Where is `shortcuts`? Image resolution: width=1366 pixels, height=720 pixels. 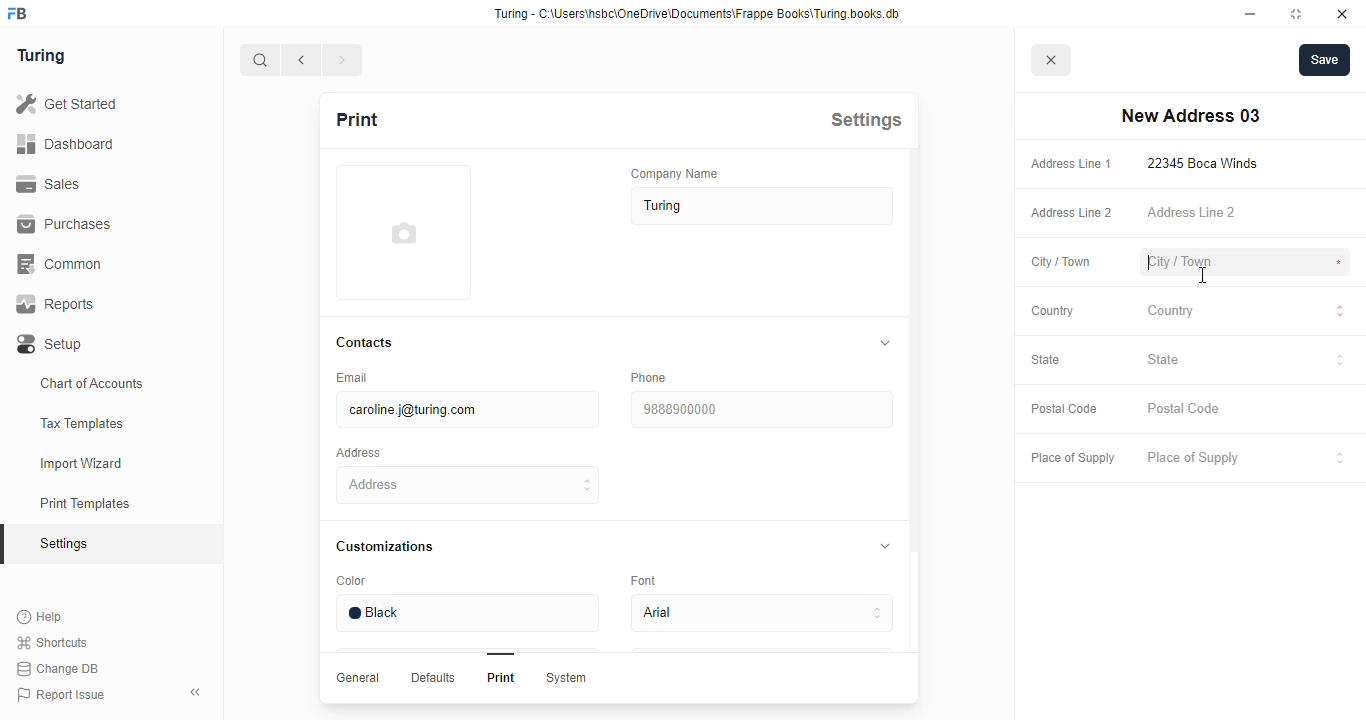 shortcuts is located at coordinates (52, 643).